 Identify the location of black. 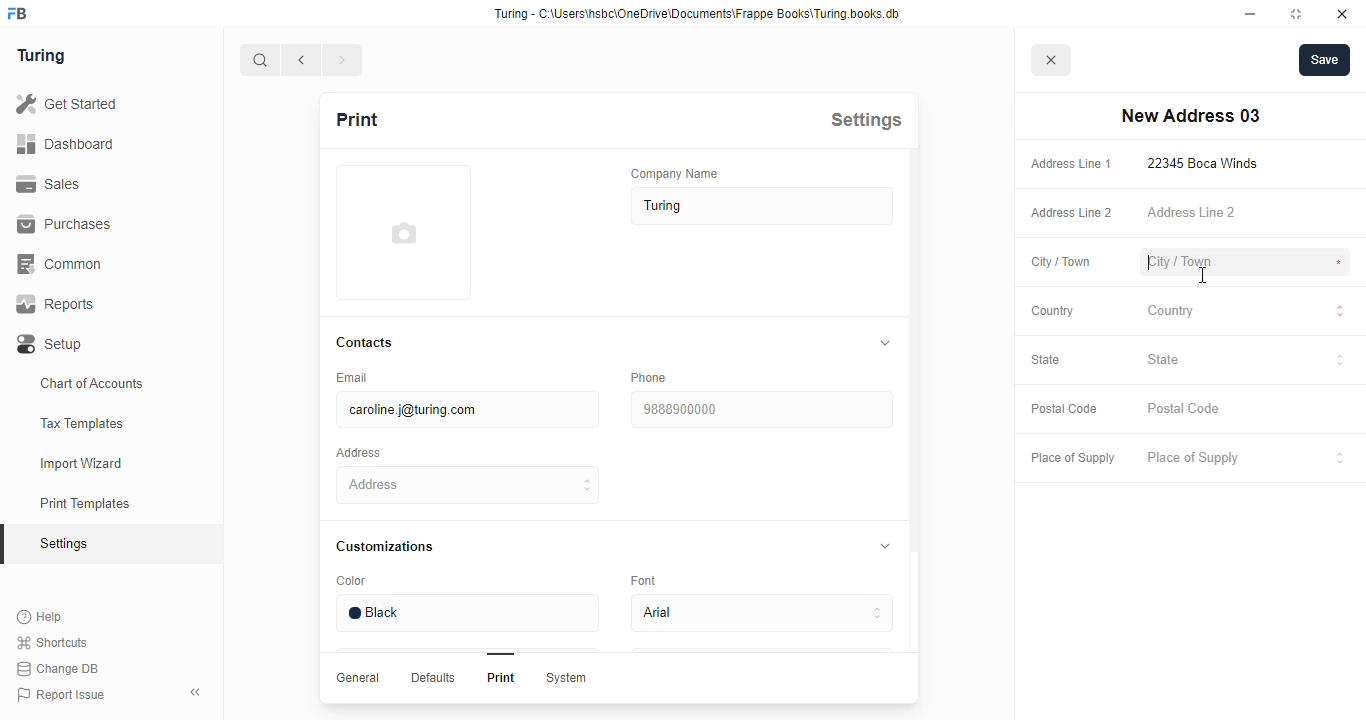
(466, 613).